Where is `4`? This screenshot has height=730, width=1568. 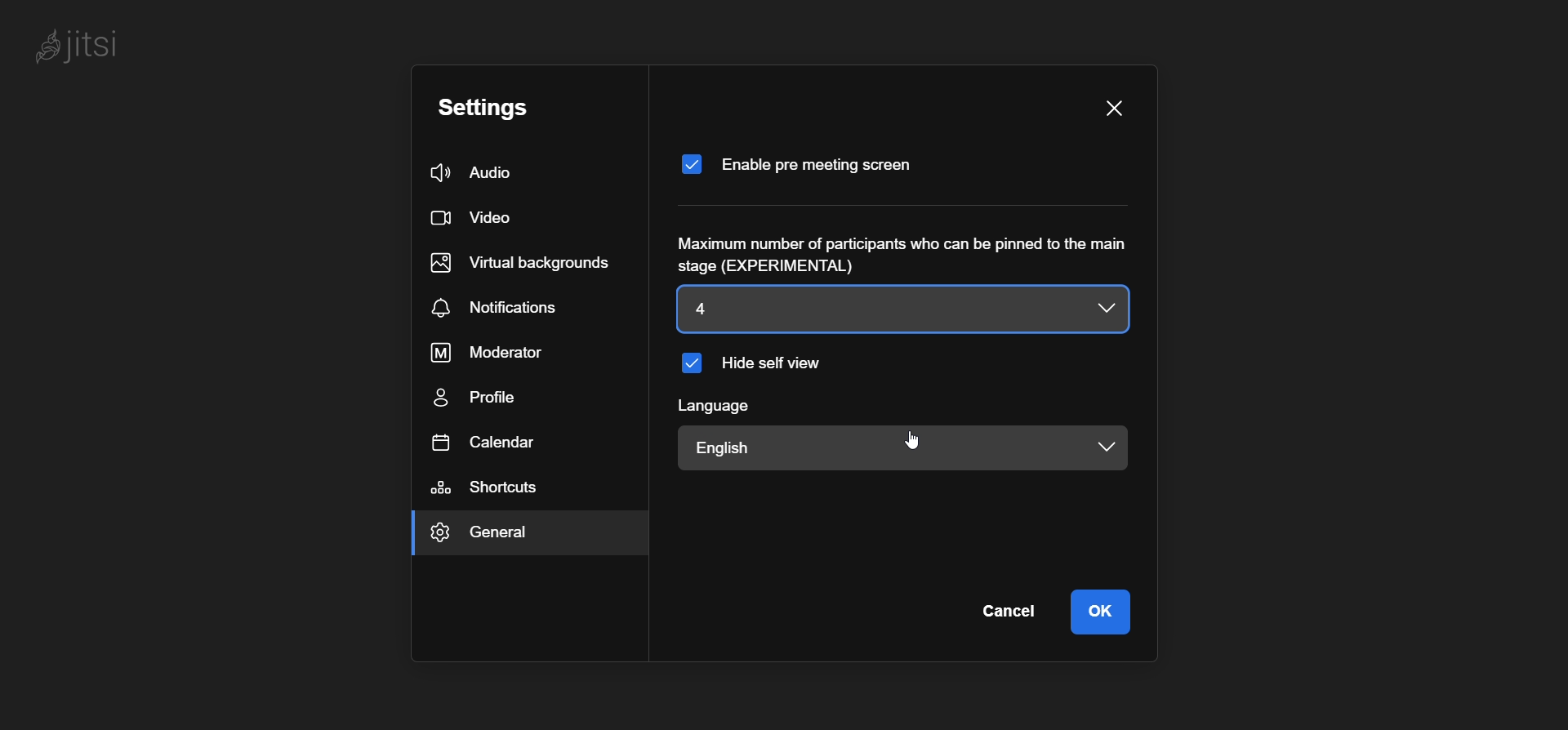
4 is located at coordinates (842, 309).